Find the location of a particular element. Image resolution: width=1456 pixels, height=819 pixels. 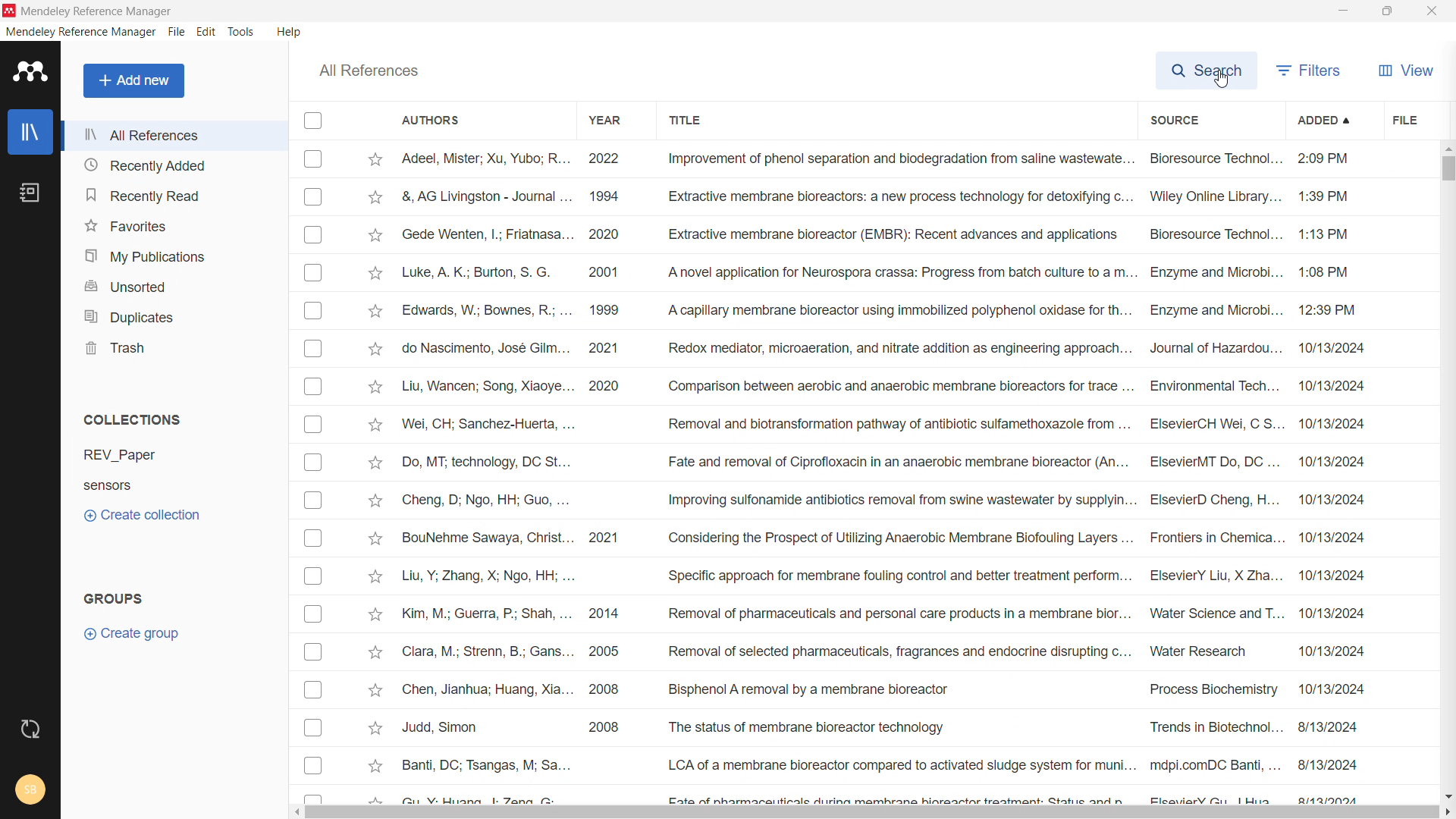

Liu, Y; Zhang, X; Ngo, HH; ... Specific approach for membrane fouling control and better treatment perform...  ElsevierY Liu, X Zha... 10/13/2024 is located at coordinates (883, 574).